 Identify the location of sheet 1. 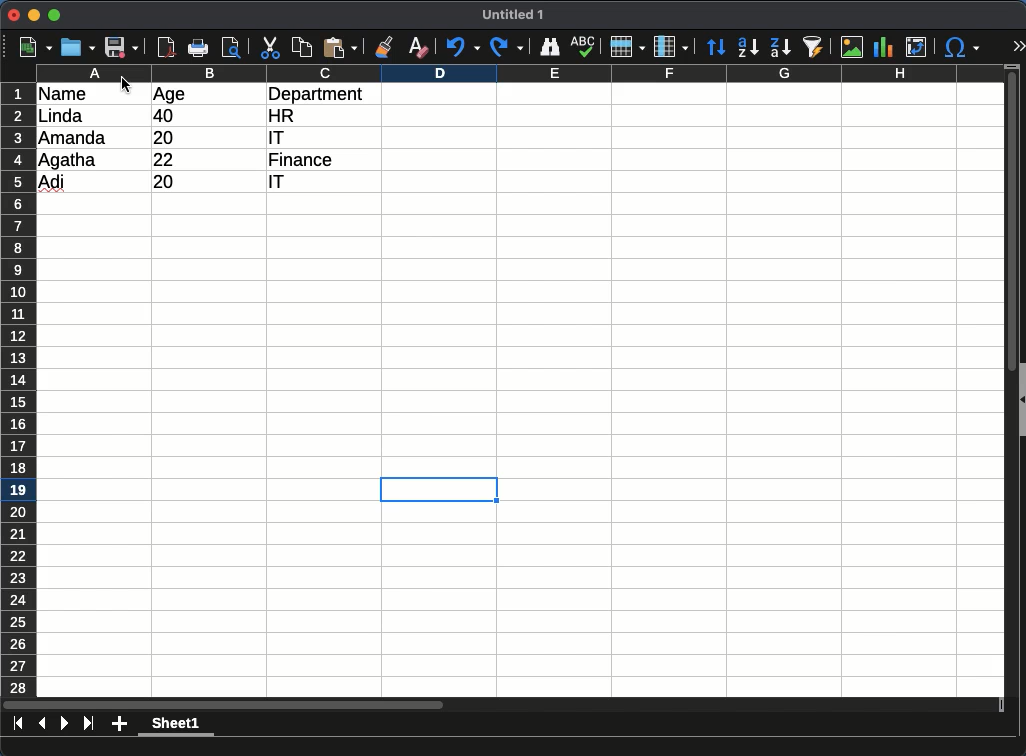
(177, 726).